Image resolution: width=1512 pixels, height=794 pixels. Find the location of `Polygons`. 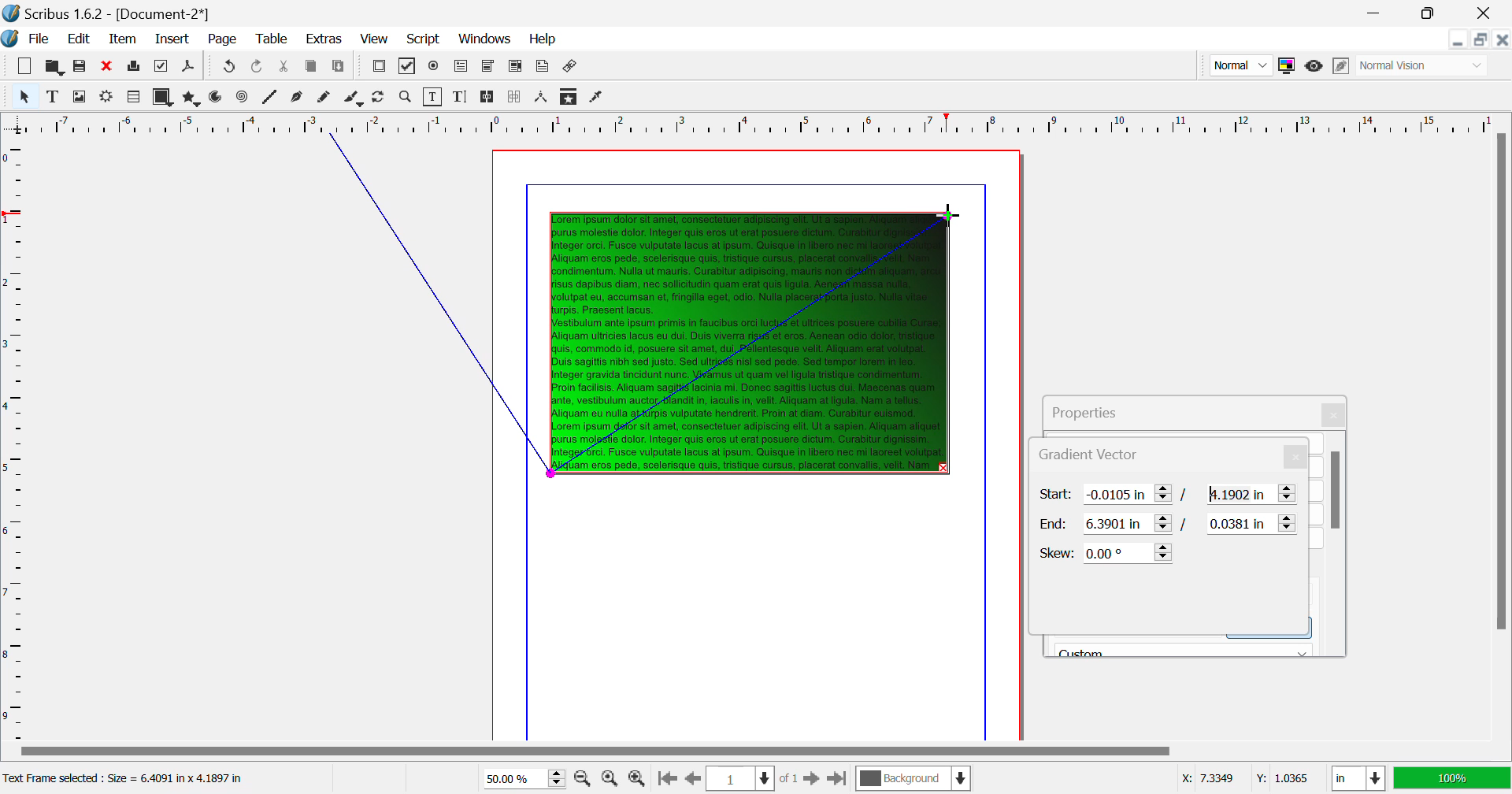

Polygons is located at coordinates (190, 98).